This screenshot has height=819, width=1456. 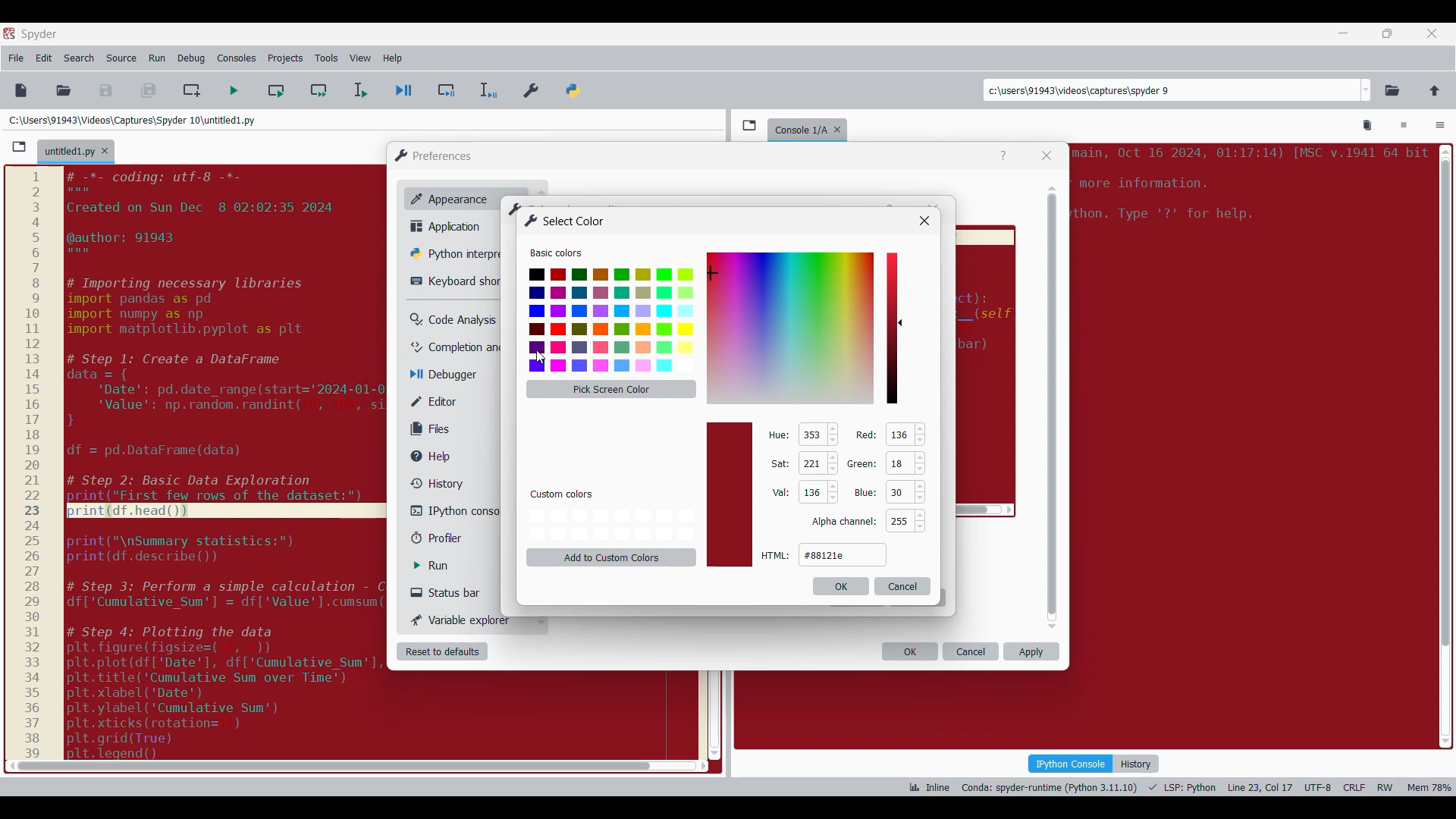 I want to click on Debug cell, so click(x=447, y=90).